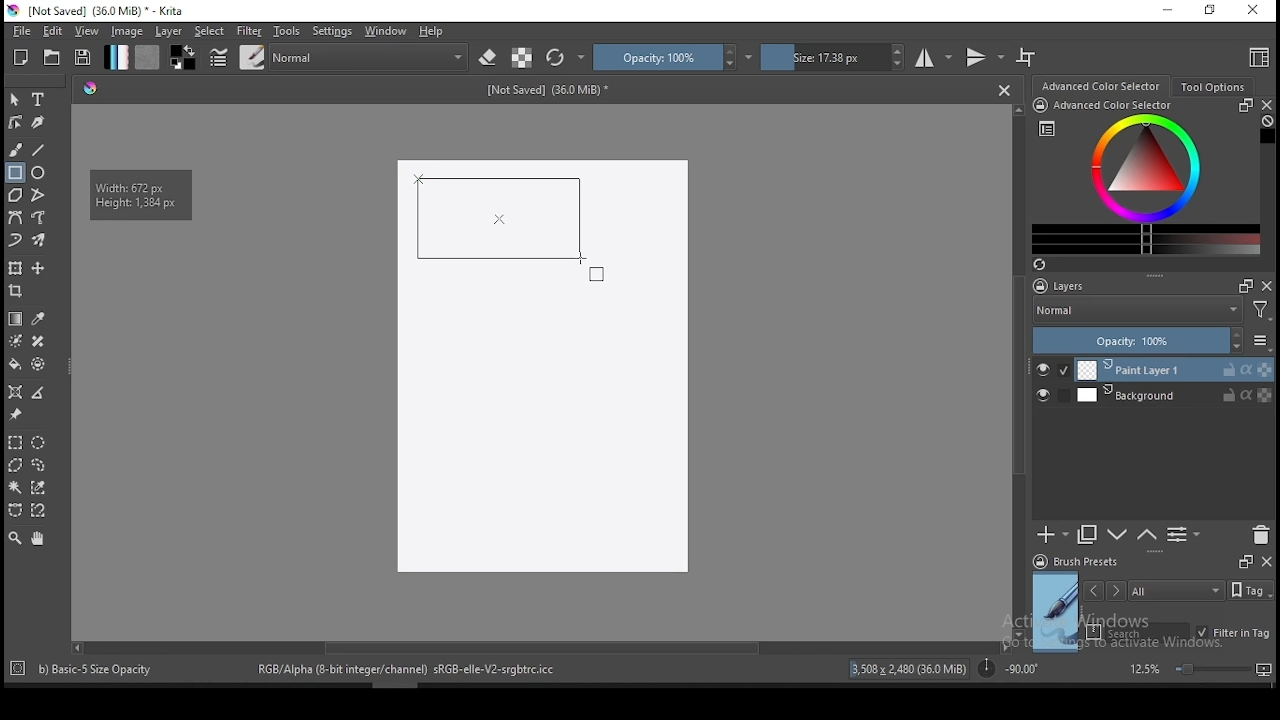 The width and height of the screenshot is (1280, 720). Describe the element at coordinates (1214, 11) in the screenshot. I see `restore` at that location.